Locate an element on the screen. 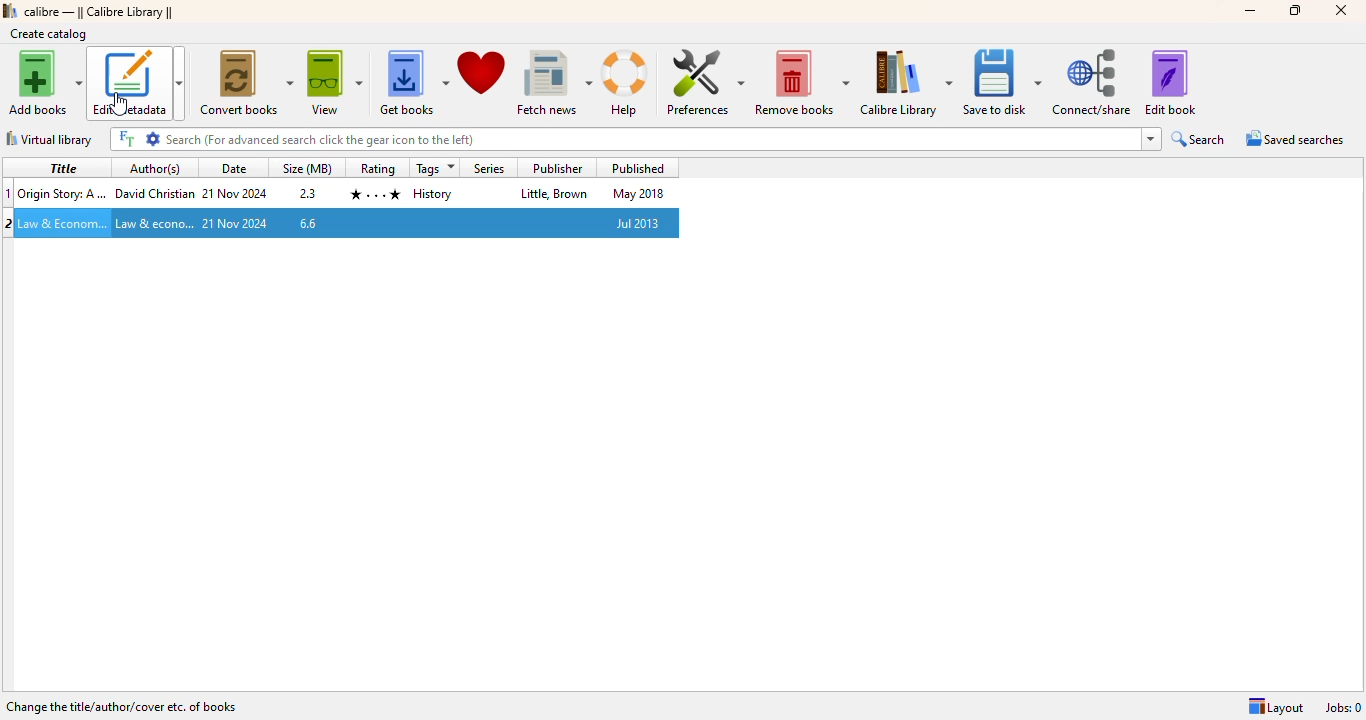 Image resolution: width=1366 pixels, height=720 pixels. rating is located at coordinates (375, 193).